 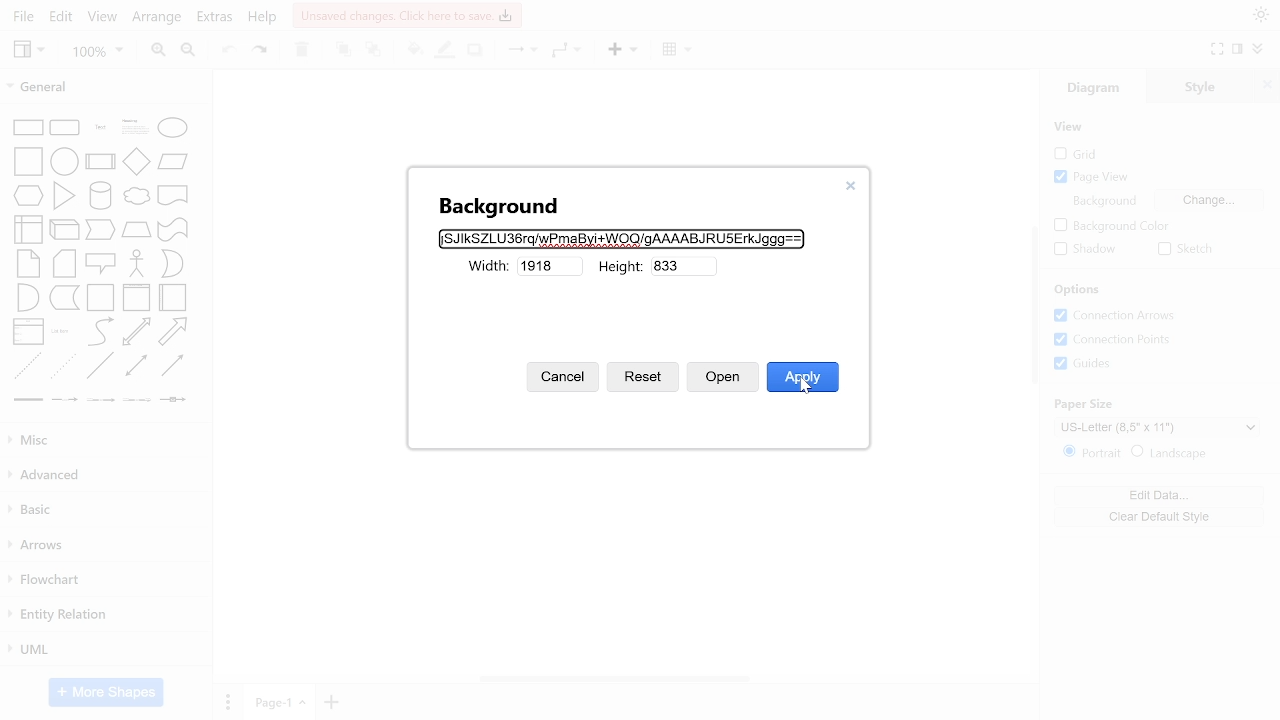 What do you see at coordinates (1091, 403) in the screenshot?
I see `Paper size` at bounding box center [1091, 403].